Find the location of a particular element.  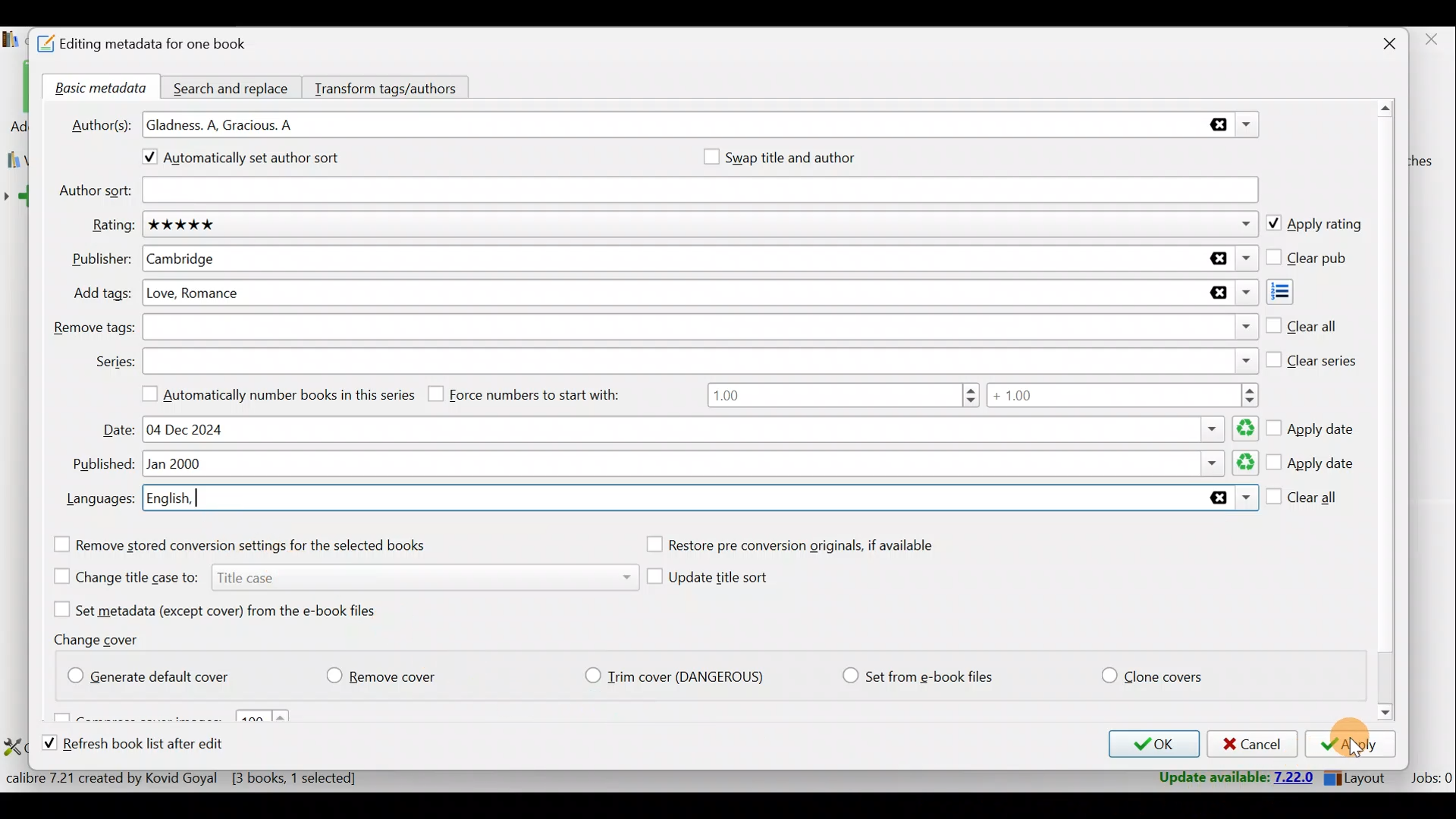

Date is located at coordinates (698, 429).